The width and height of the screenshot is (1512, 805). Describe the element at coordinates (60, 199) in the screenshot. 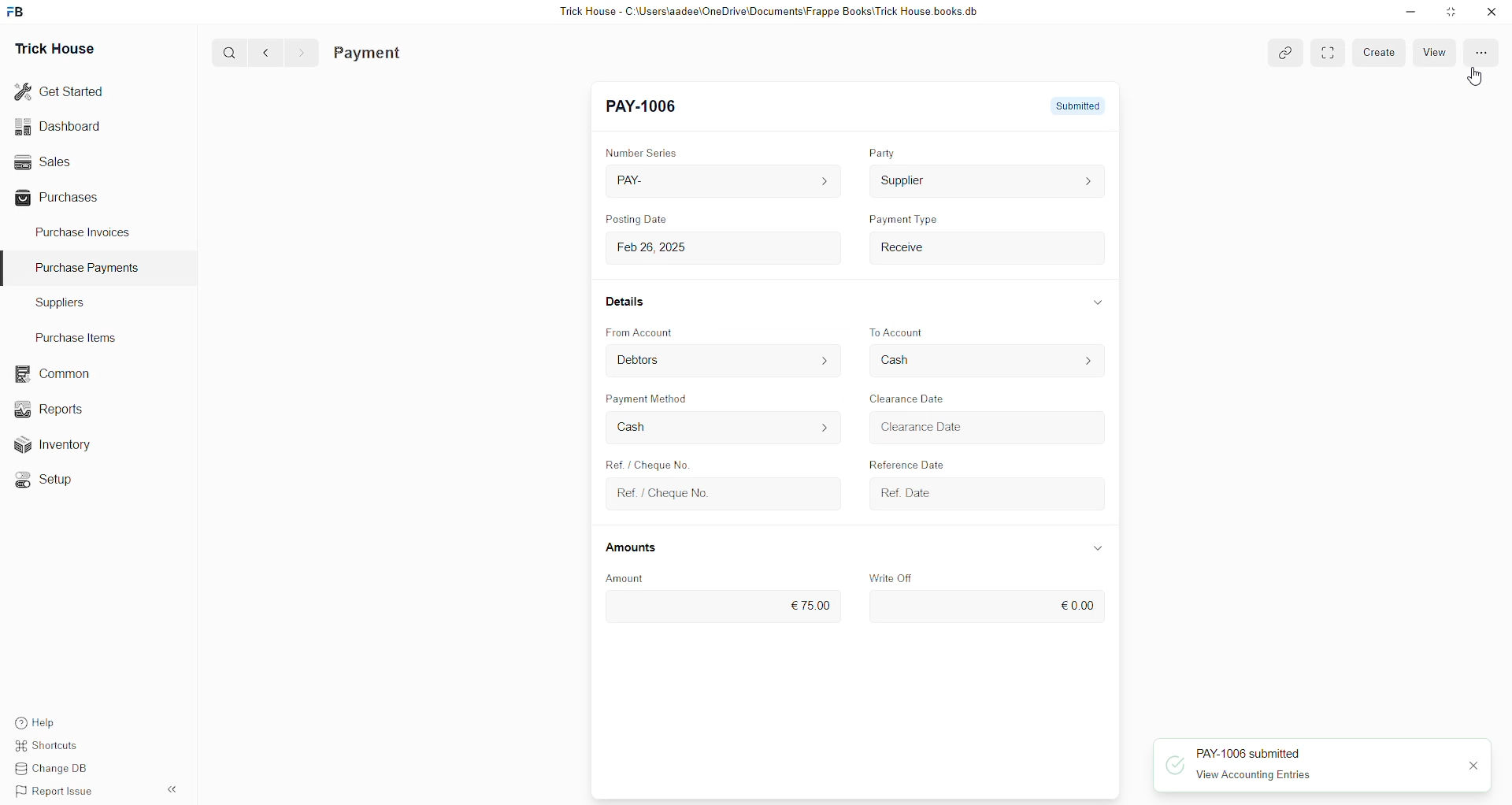

I see `Purchases` at that location.